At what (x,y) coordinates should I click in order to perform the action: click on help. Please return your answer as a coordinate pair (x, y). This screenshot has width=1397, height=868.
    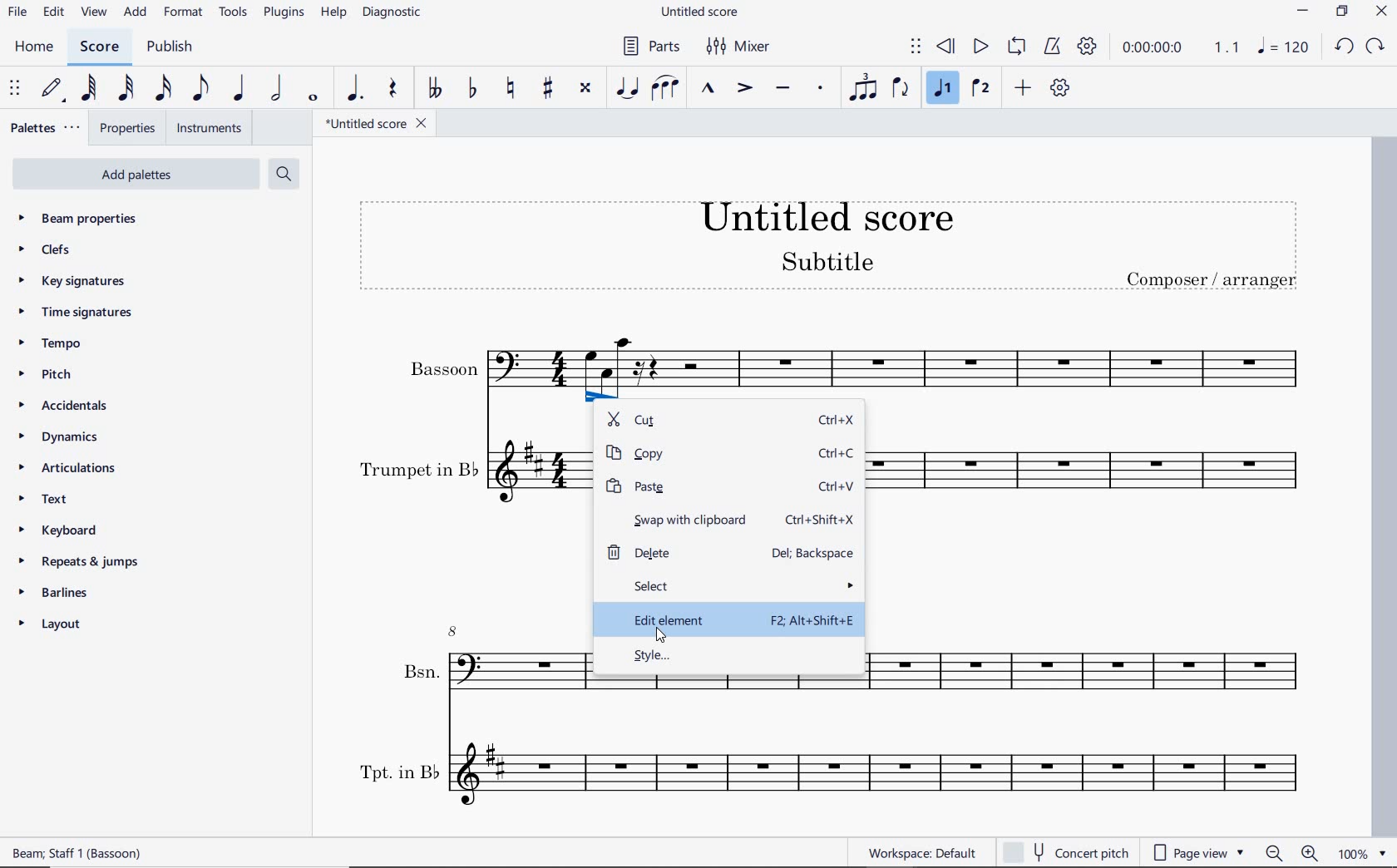
    Looking at the image, I should click on (333, 12).